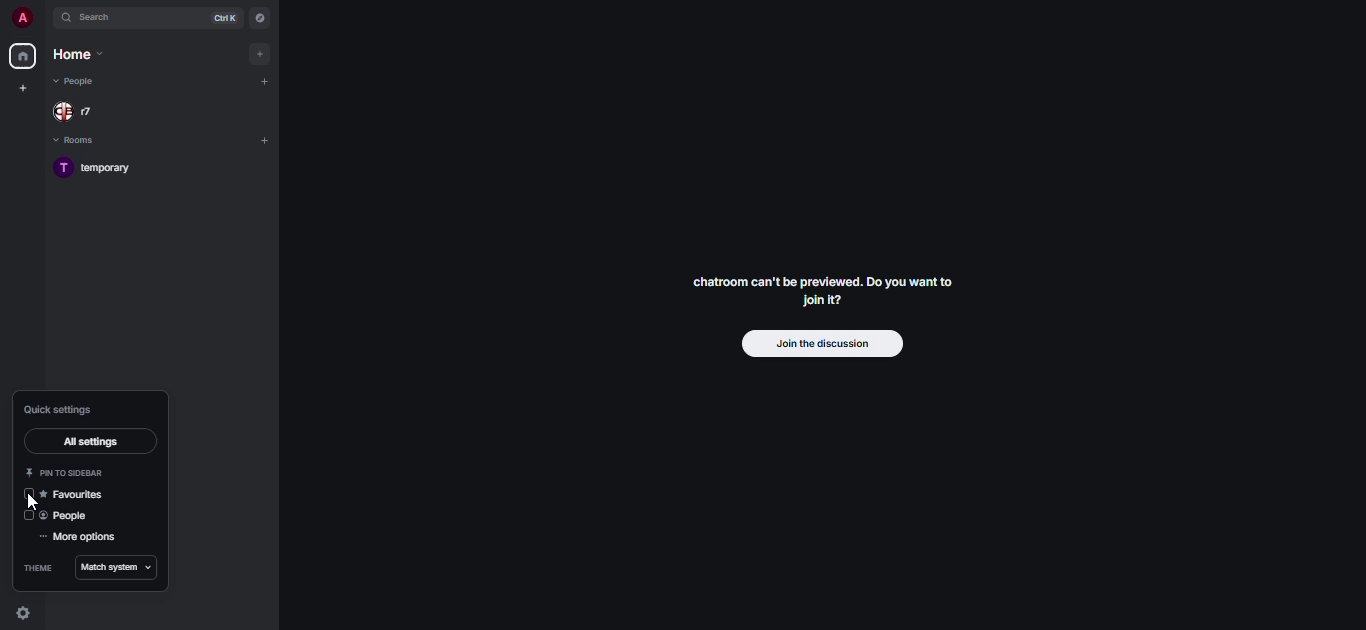 The height and width of the screenshot is (630, 1366). Describe the element at coordinates (29, 494) in the screenshot. I see `disabled` at that location.